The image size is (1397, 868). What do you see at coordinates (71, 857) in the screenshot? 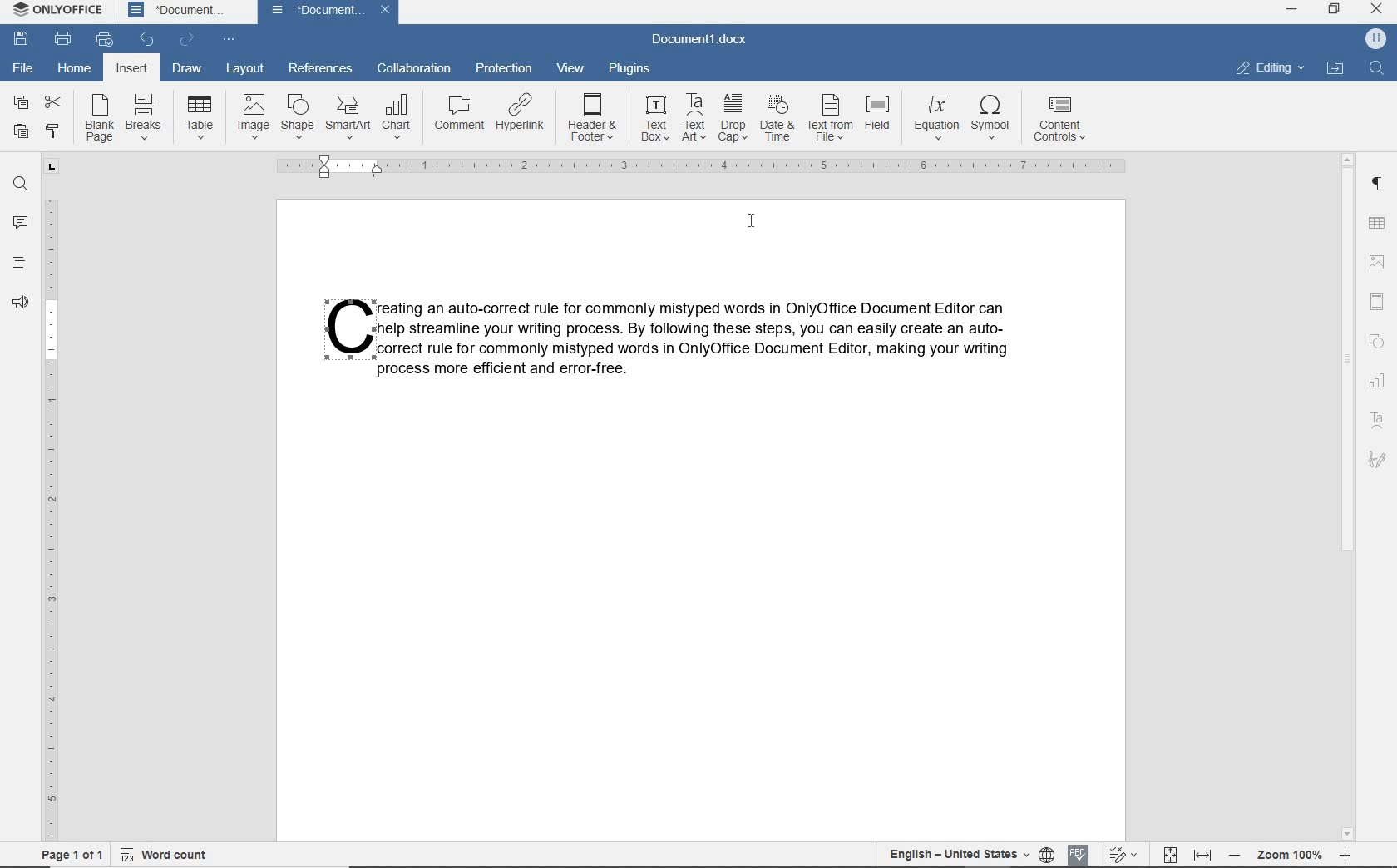
I see `page 1 of 1` at bounding box center [71, 857].